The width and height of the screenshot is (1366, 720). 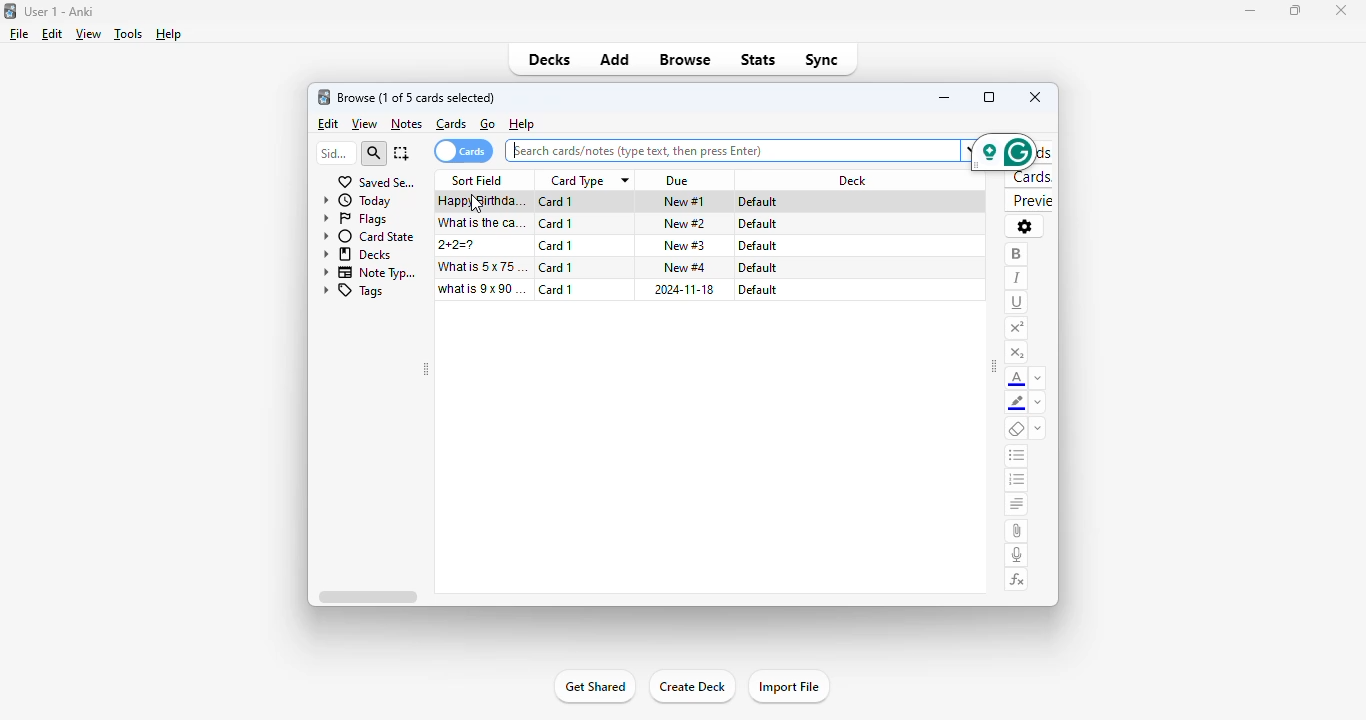 What do you see at coordinates (1037, 402) in the screenshot?
I see `change color` at bounding box center [1037, 402].